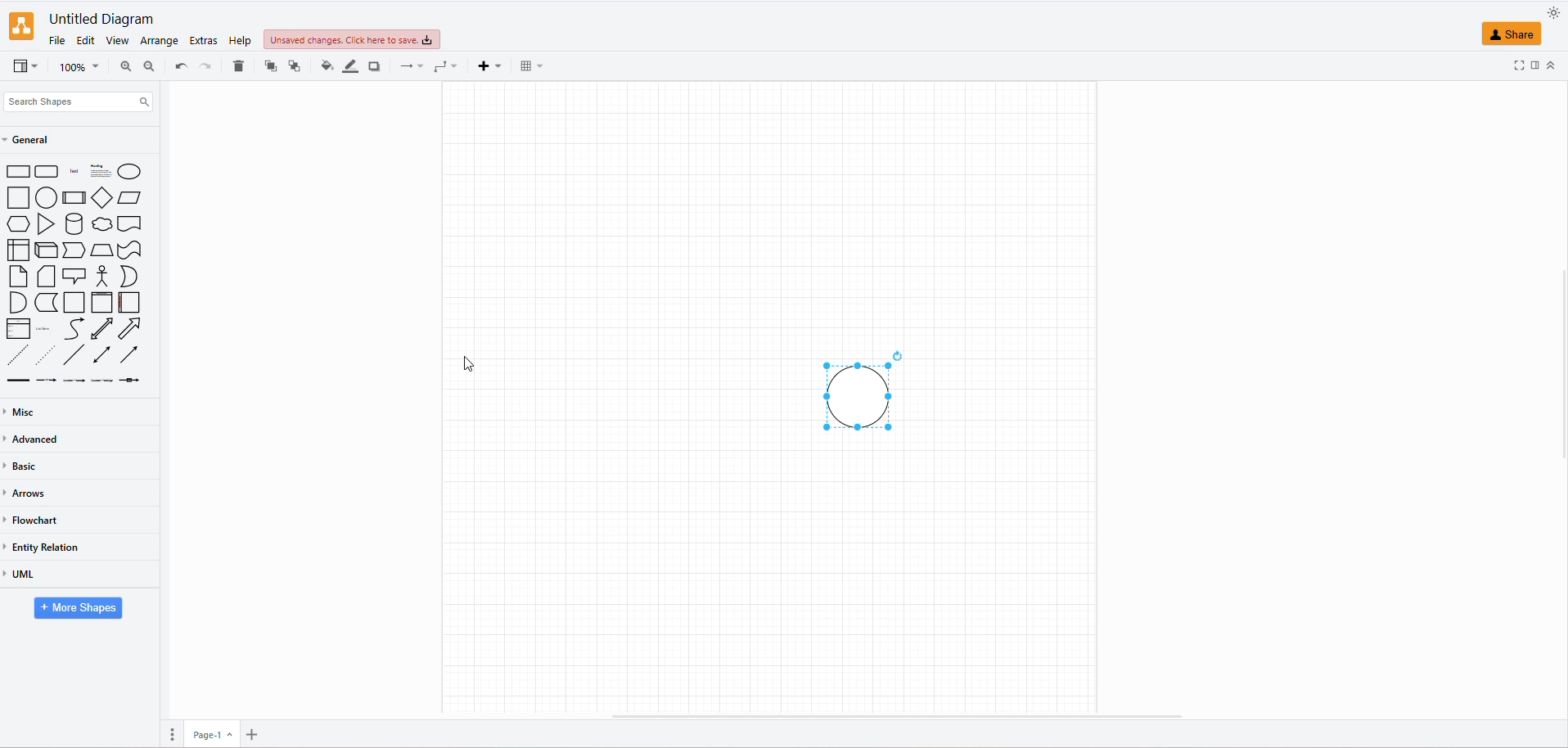  What do you see at coordinates (47, 301) in the screenshot?
I see `DATA STORAGE` at bounding box center [47, 301].